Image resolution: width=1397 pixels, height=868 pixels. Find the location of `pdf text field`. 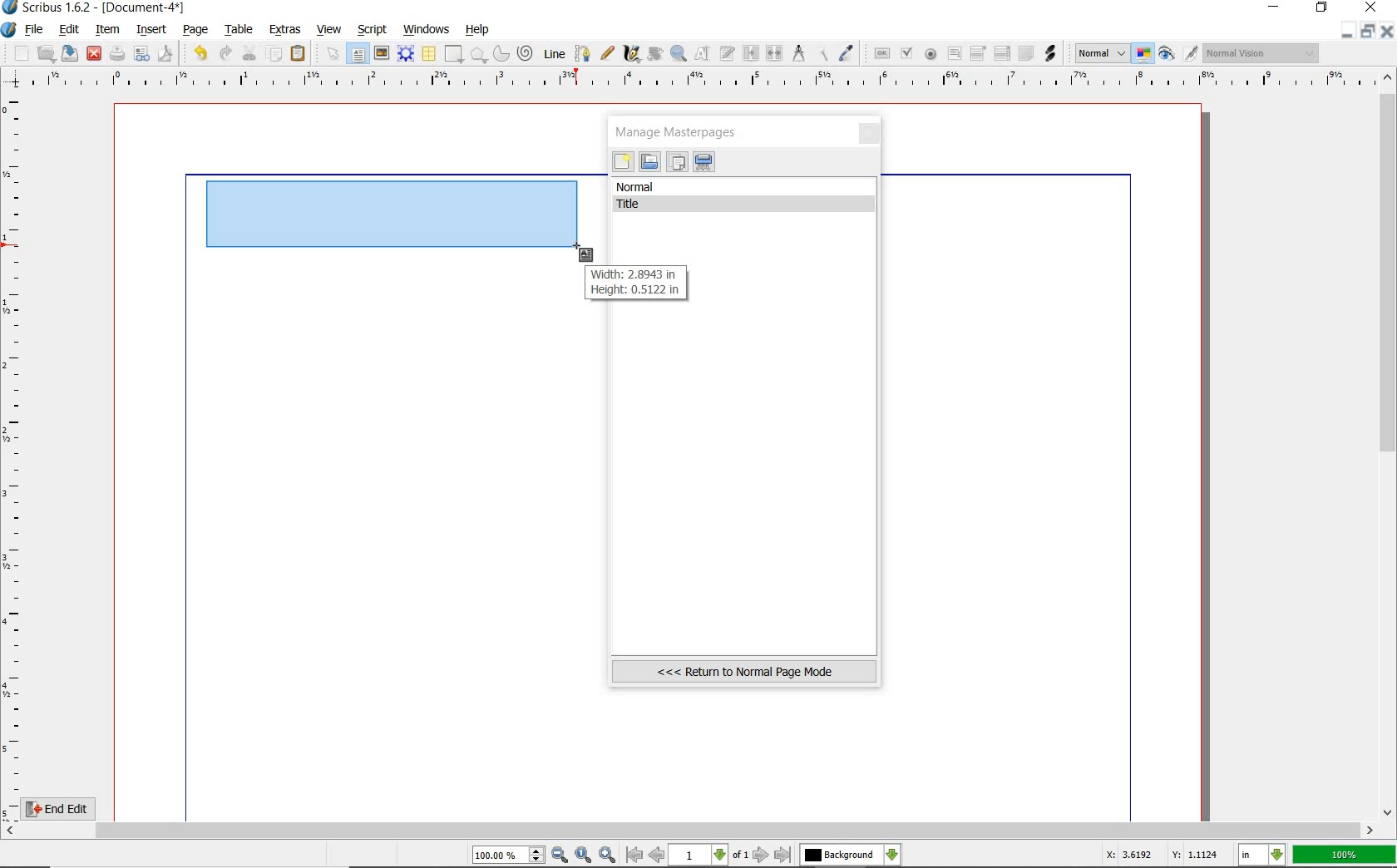

pdf text field is located at coordinates (954, 54).